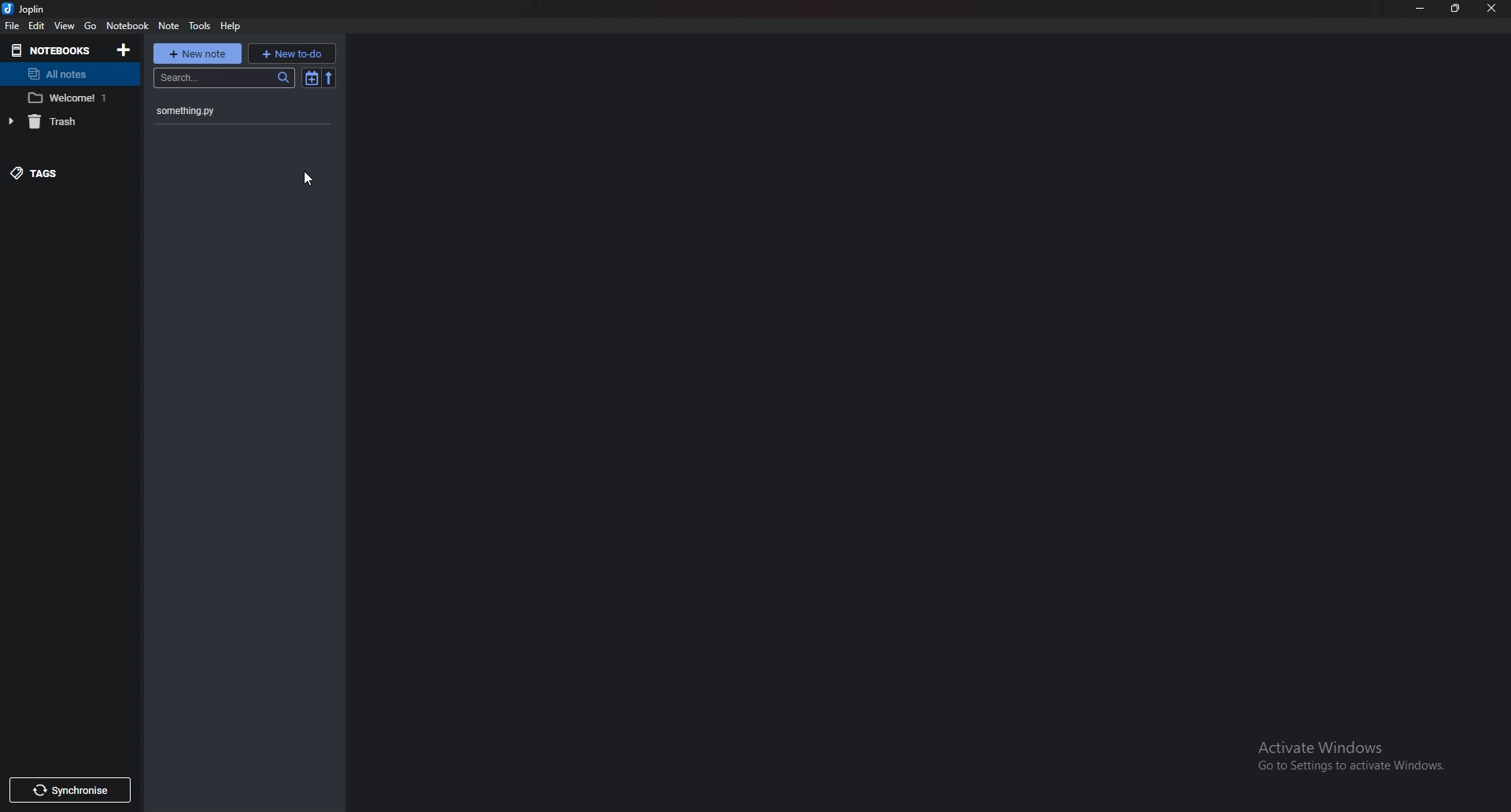  What do you see at coordinates (330, 79) in the screenshot?
I see `reverse short order` at bounding box center [330, 79].